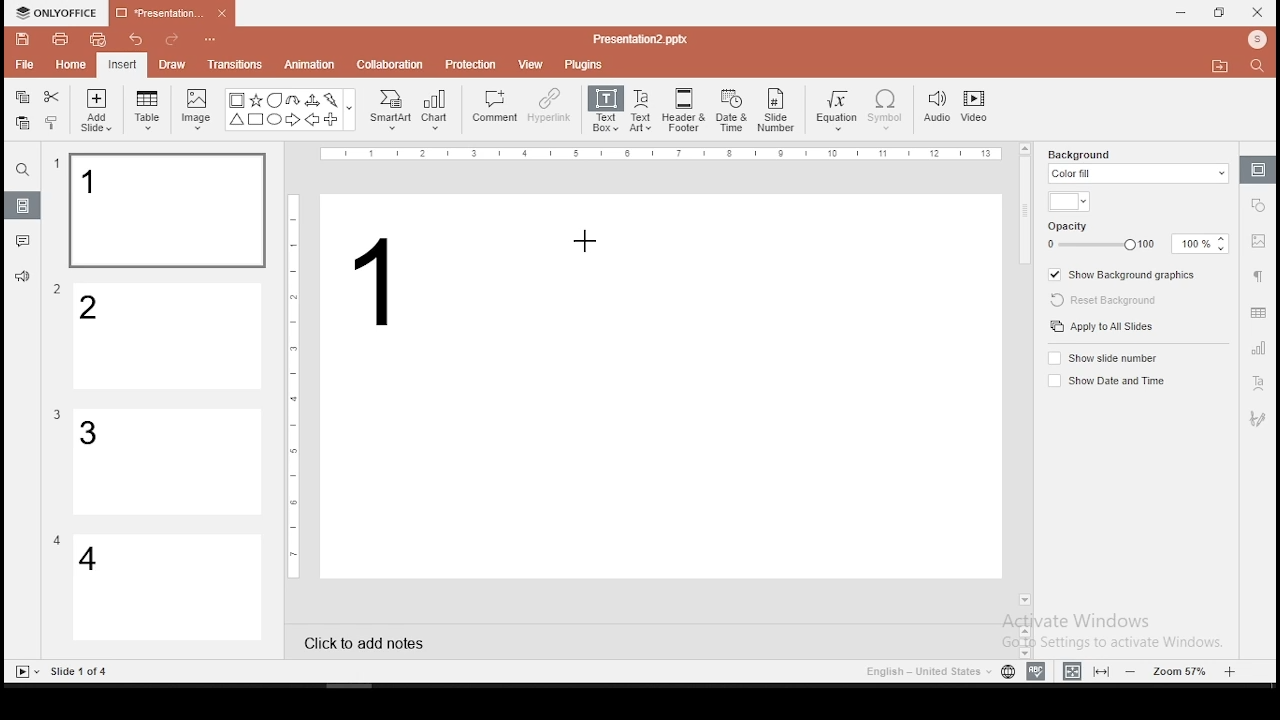 This screenshot has height=720, width=1280. What do you see at coordinates (974, 109) in the screenshot?
I see `video` at bounding box center [974, 109].